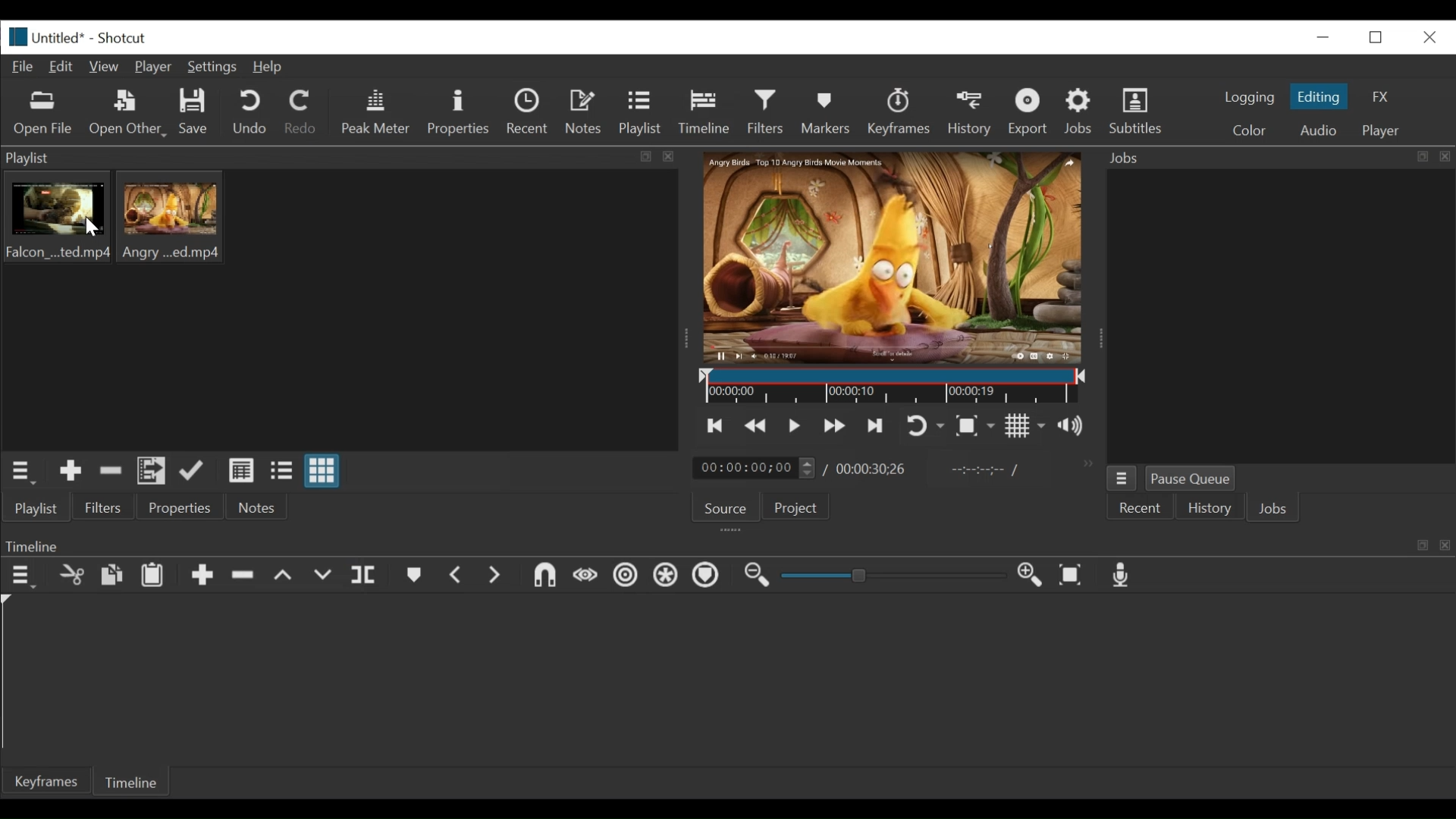 The image size is (1456, 819). What do you see at coordinates (981, 472) in the screenshot?
I see `in point` at bounding box center [981, 472].